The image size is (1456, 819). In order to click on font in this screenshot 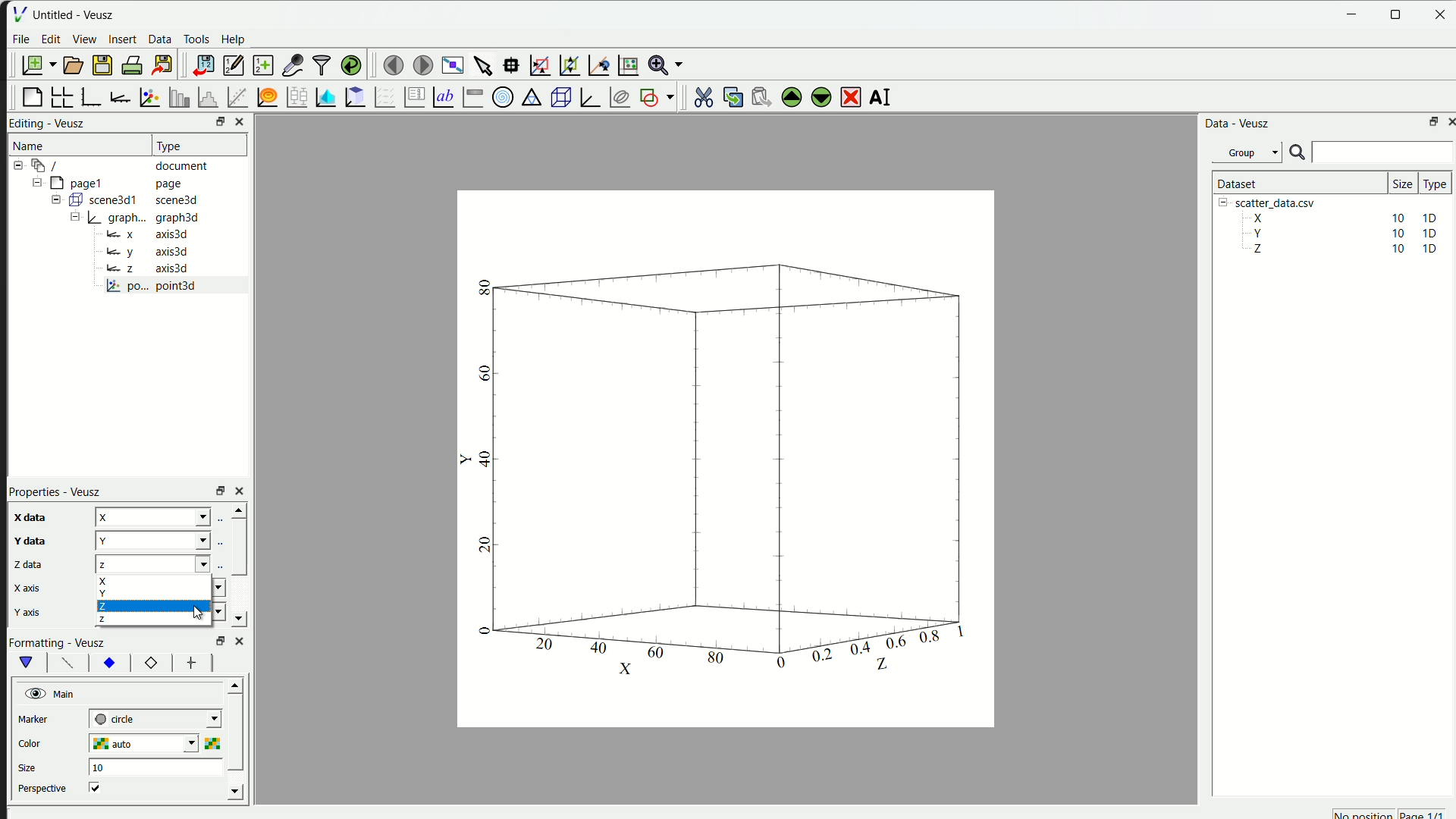, I will do `click(65, 663)`.